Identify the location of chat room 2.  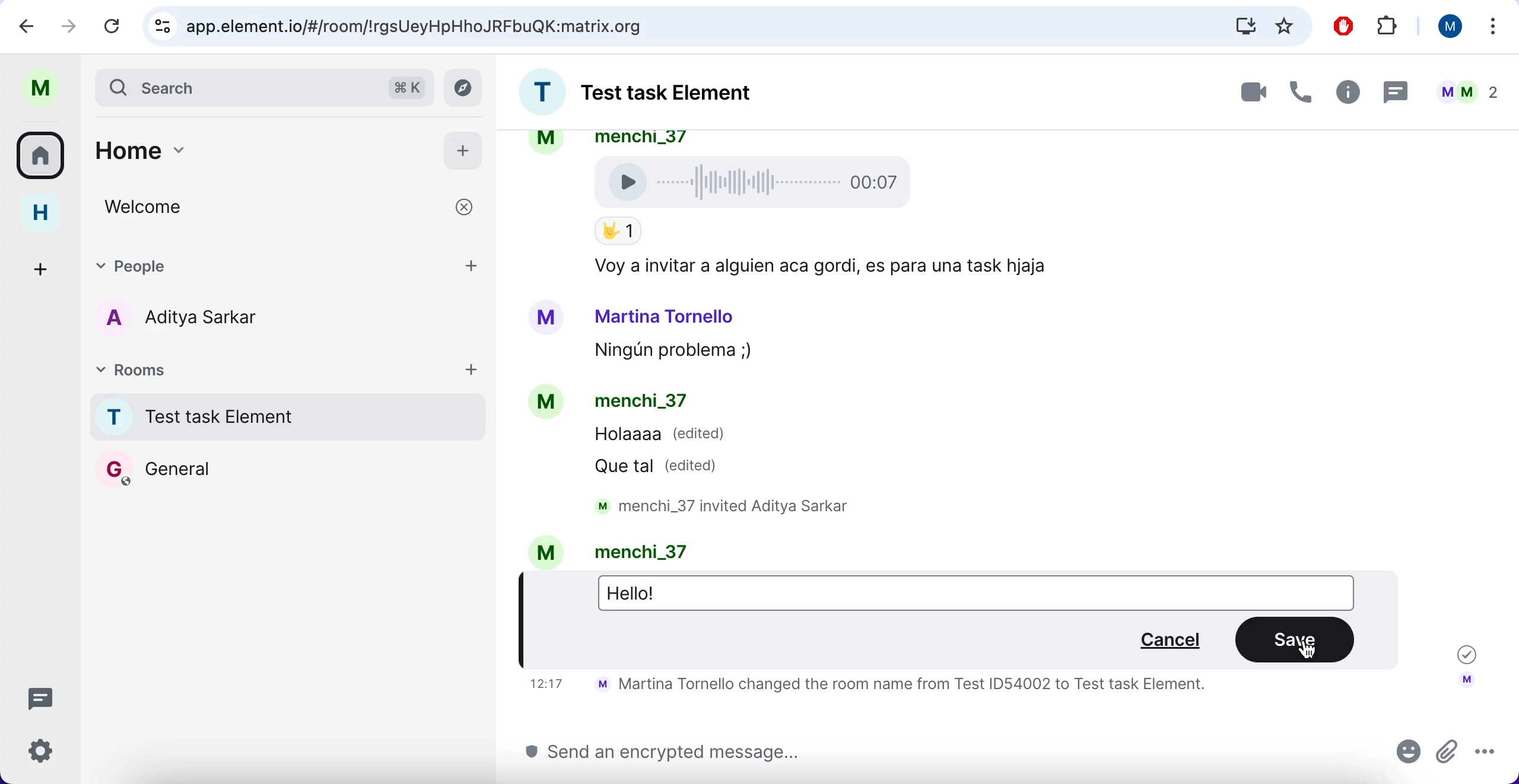
(201, 470).